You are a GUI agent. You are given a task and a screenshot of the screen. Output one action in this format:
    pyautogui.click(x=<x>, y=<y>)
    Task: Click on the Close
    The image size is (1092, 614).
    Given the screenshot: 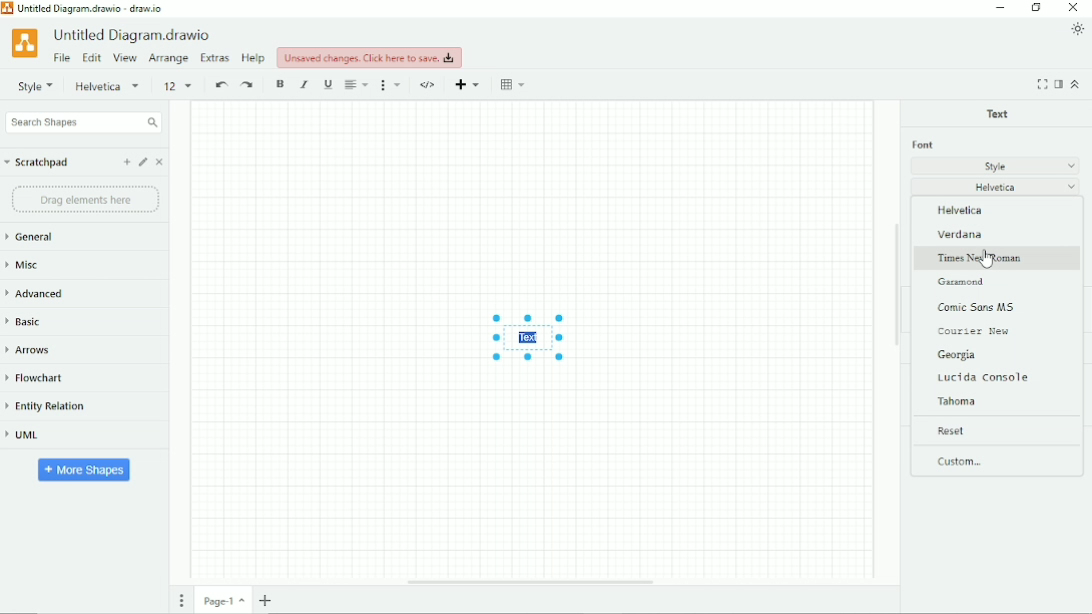 What is the action you would take?
    pyautogui.click(x=1074, y=7)
    